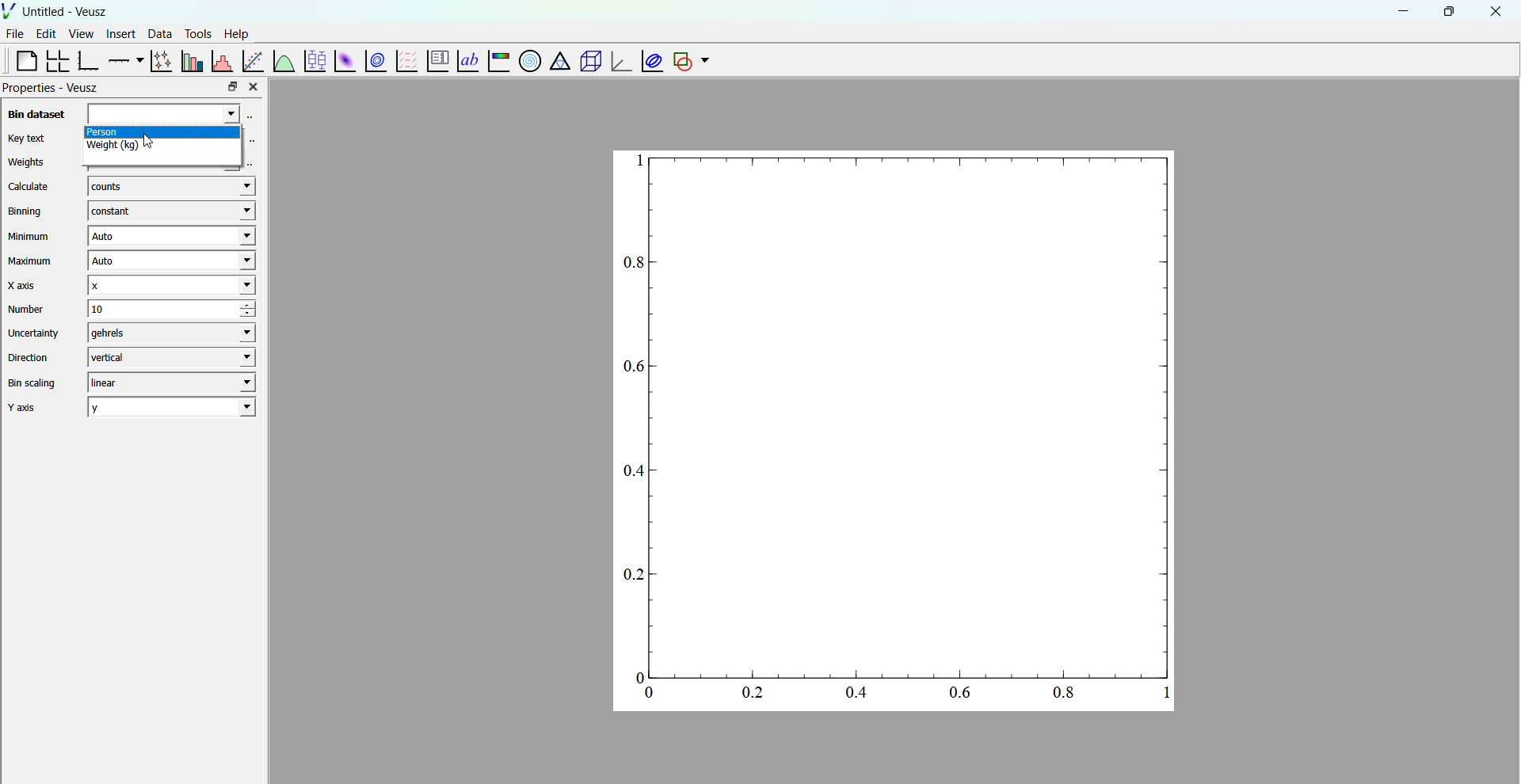  What do you see at coordinates (168, 333) in the screenshot?
I see `gehrels` at bounding box center [168, 333].